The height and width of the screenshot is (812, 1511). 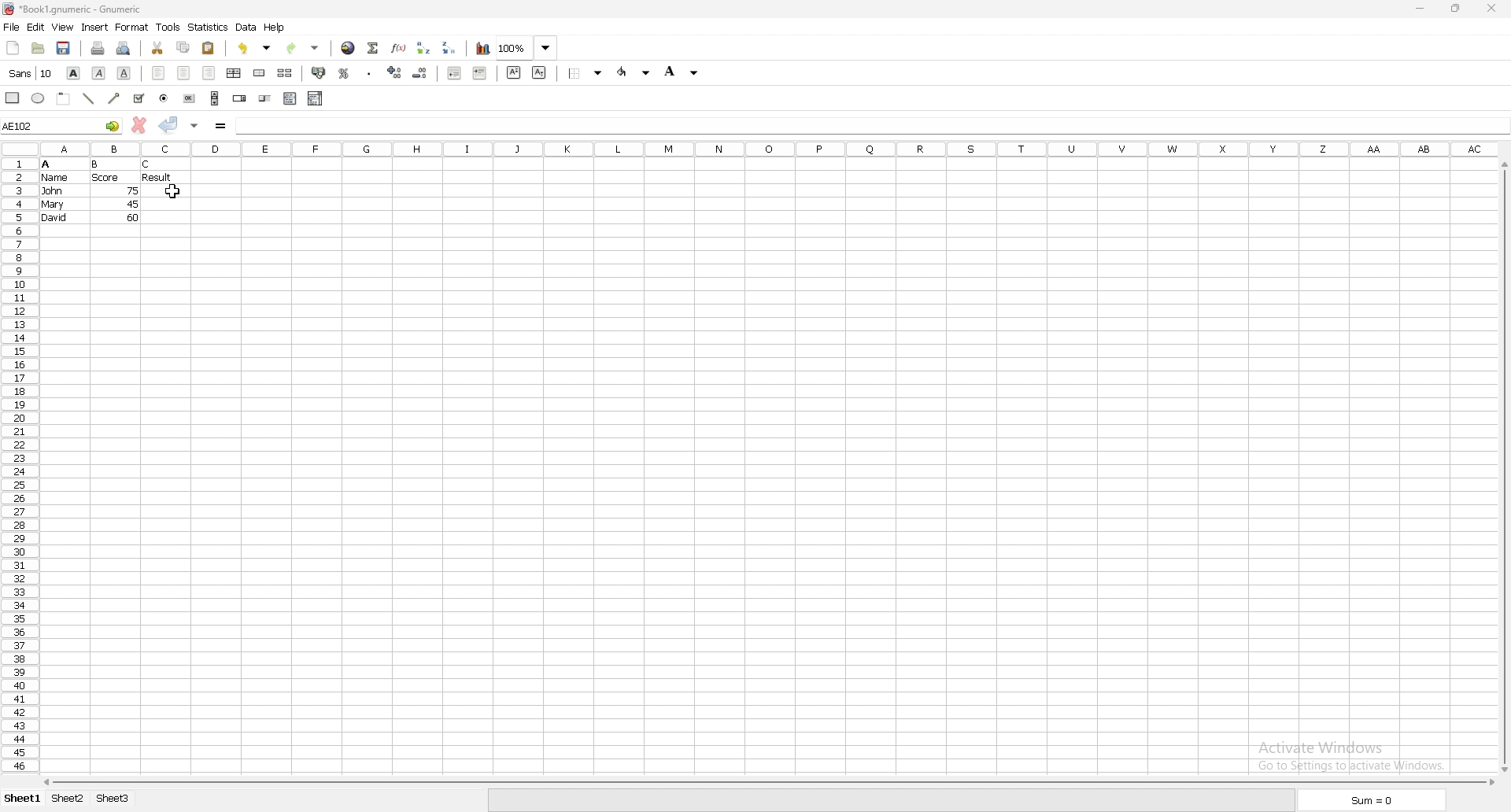 I want to click on arrowed line, so click(x=116, y=98).